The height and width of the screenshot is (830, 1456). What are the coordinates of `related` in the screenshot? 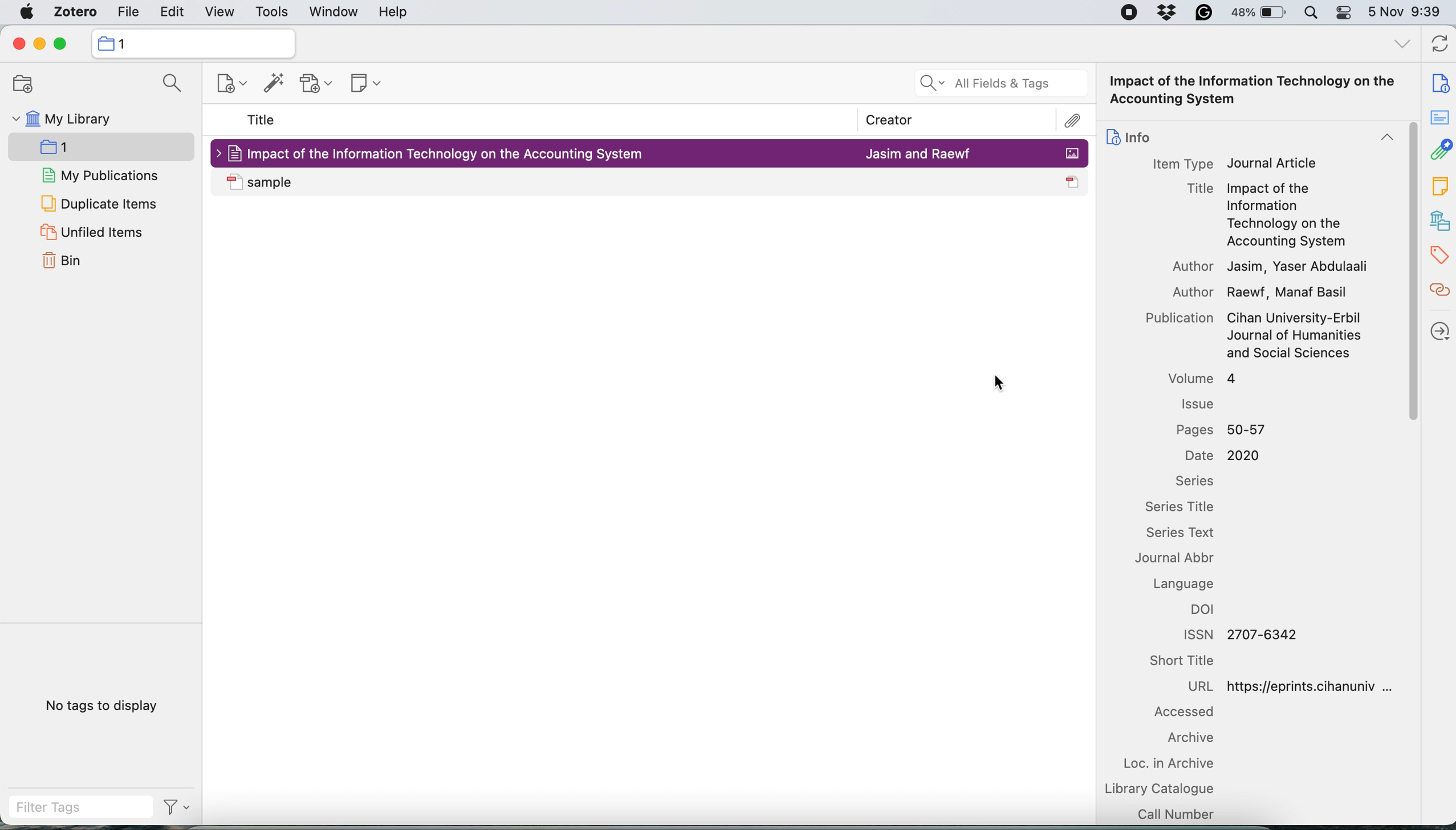 It's located at (1439, 290).